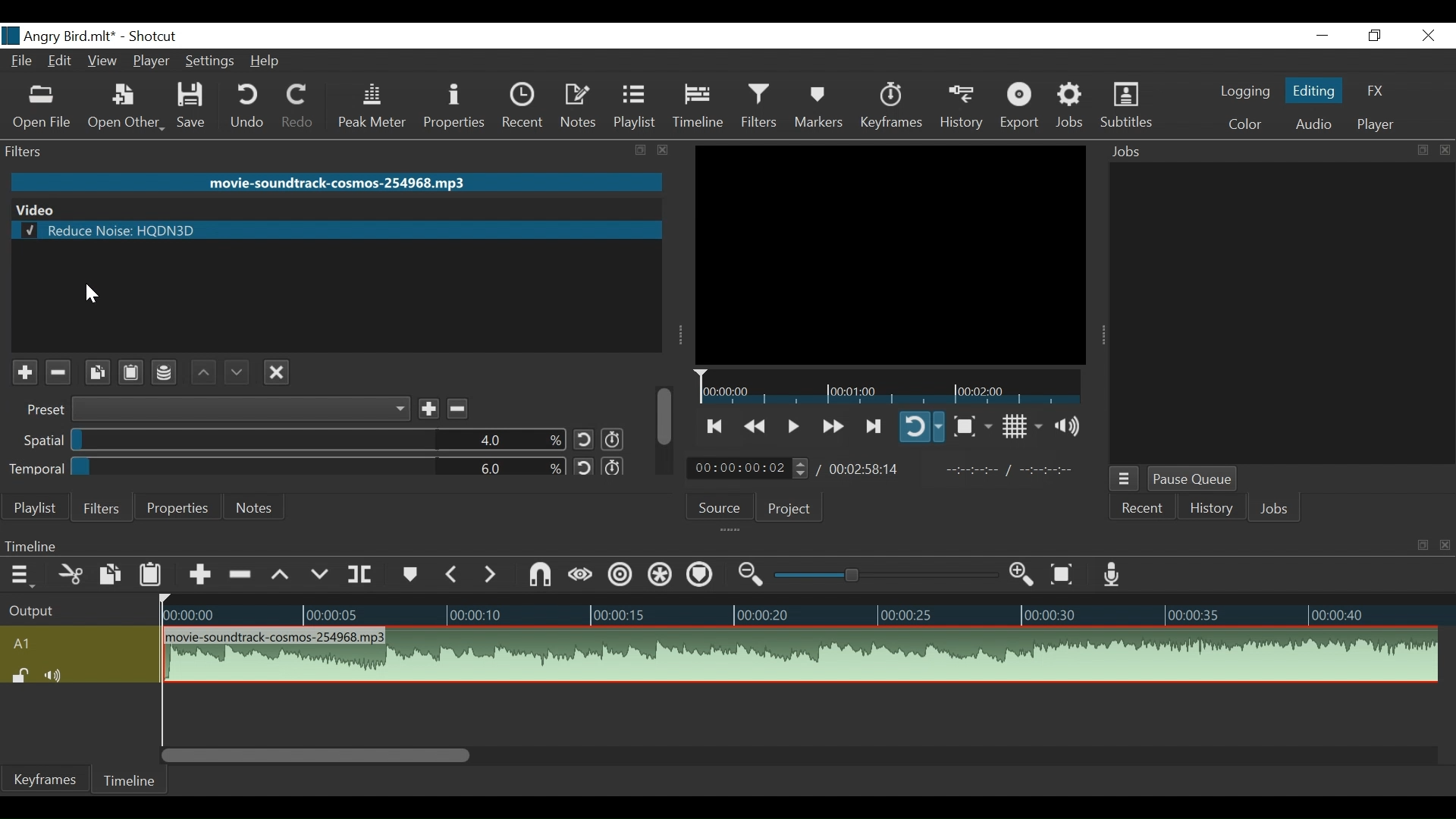 This screenshot has width=1456, height=819. I want to click on Snap, so click(541, 575).